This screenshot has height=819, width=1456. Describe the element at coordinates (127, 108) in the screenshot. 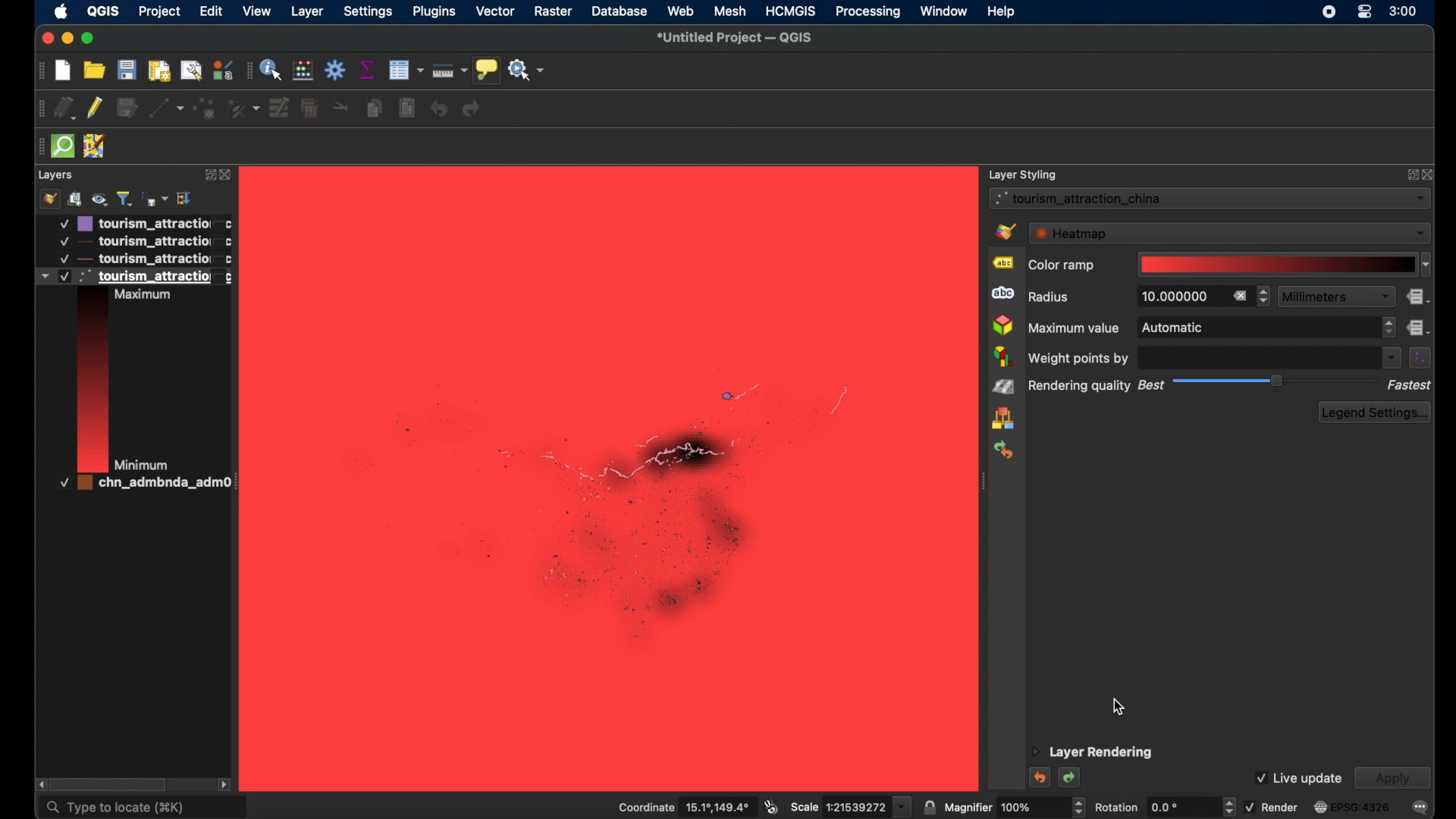

I see `save edits` at that location.